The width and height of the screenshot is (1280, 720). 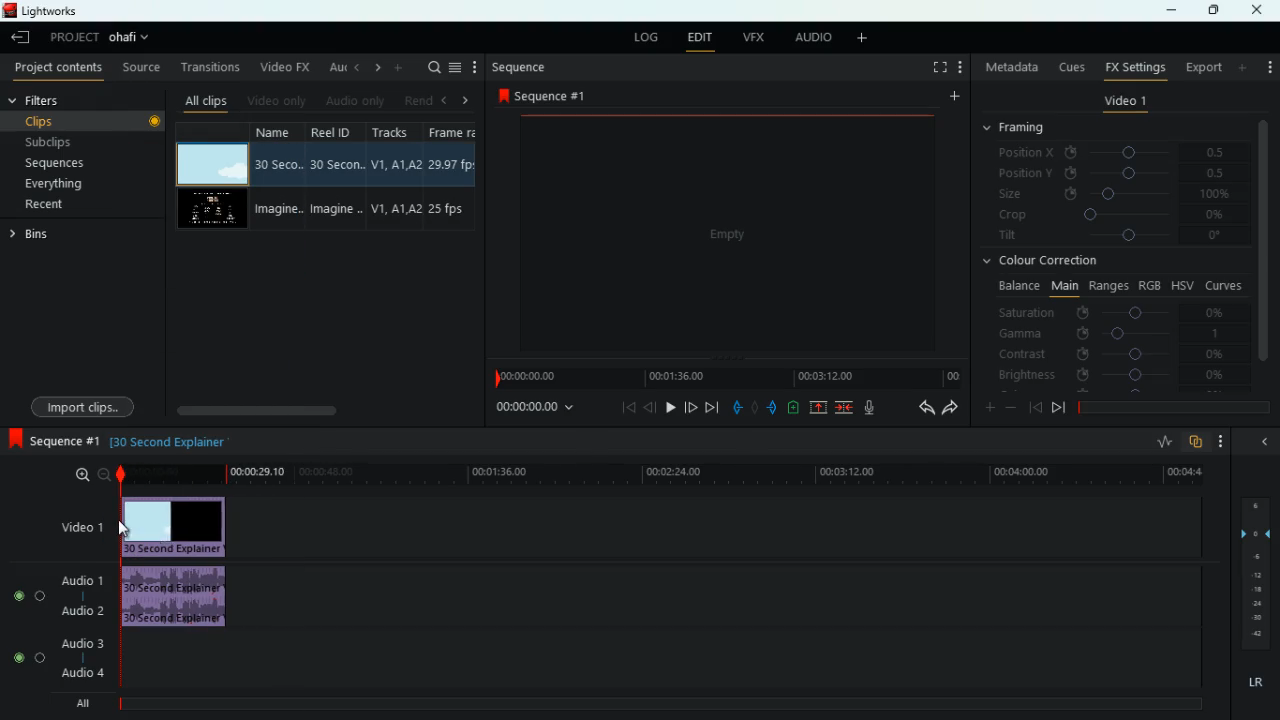 I want to click on saturation, so click(x=1116, y=311).